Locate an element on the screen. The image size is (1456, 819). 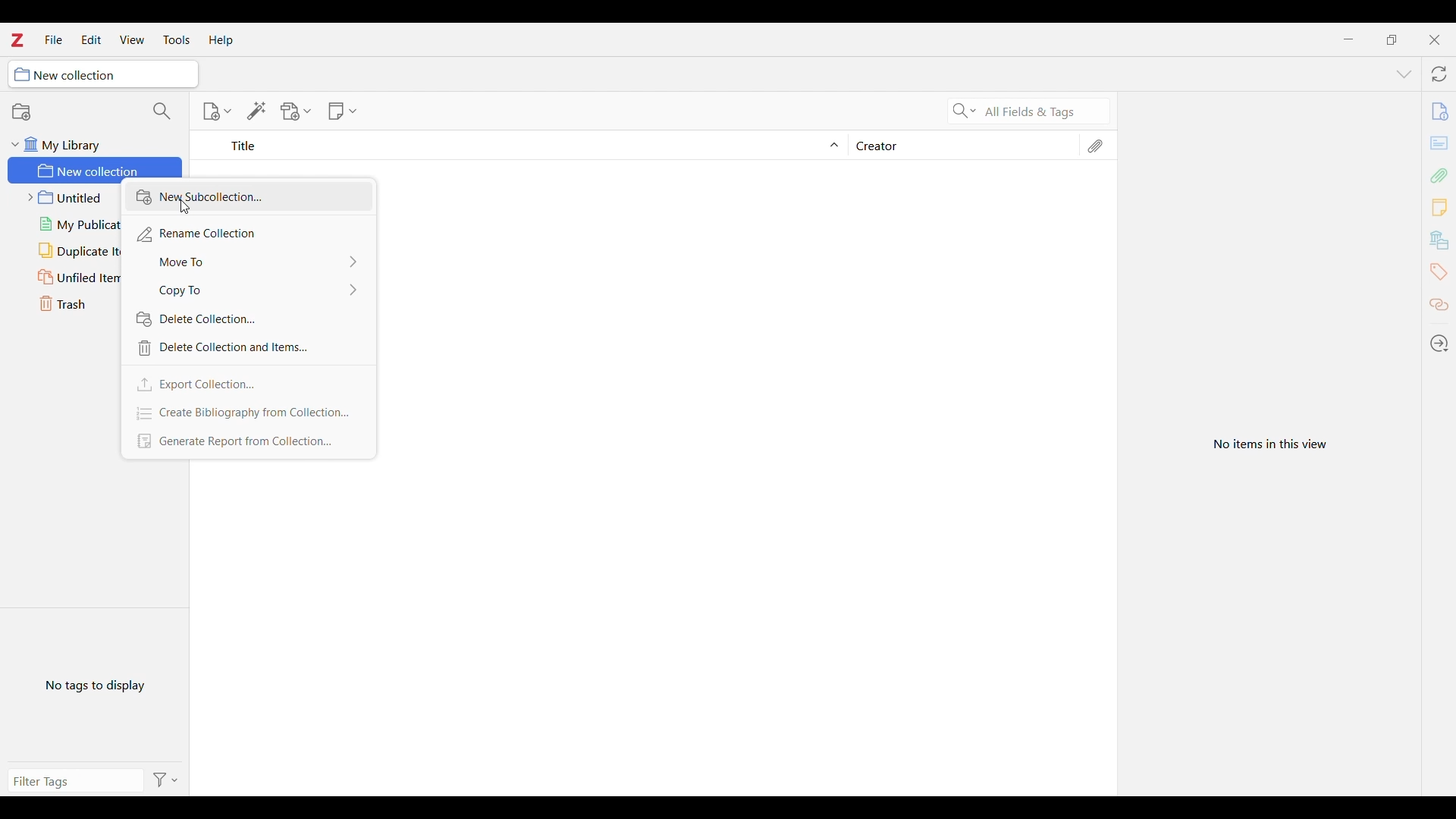
Software logo is located at coordinates (17, 40).